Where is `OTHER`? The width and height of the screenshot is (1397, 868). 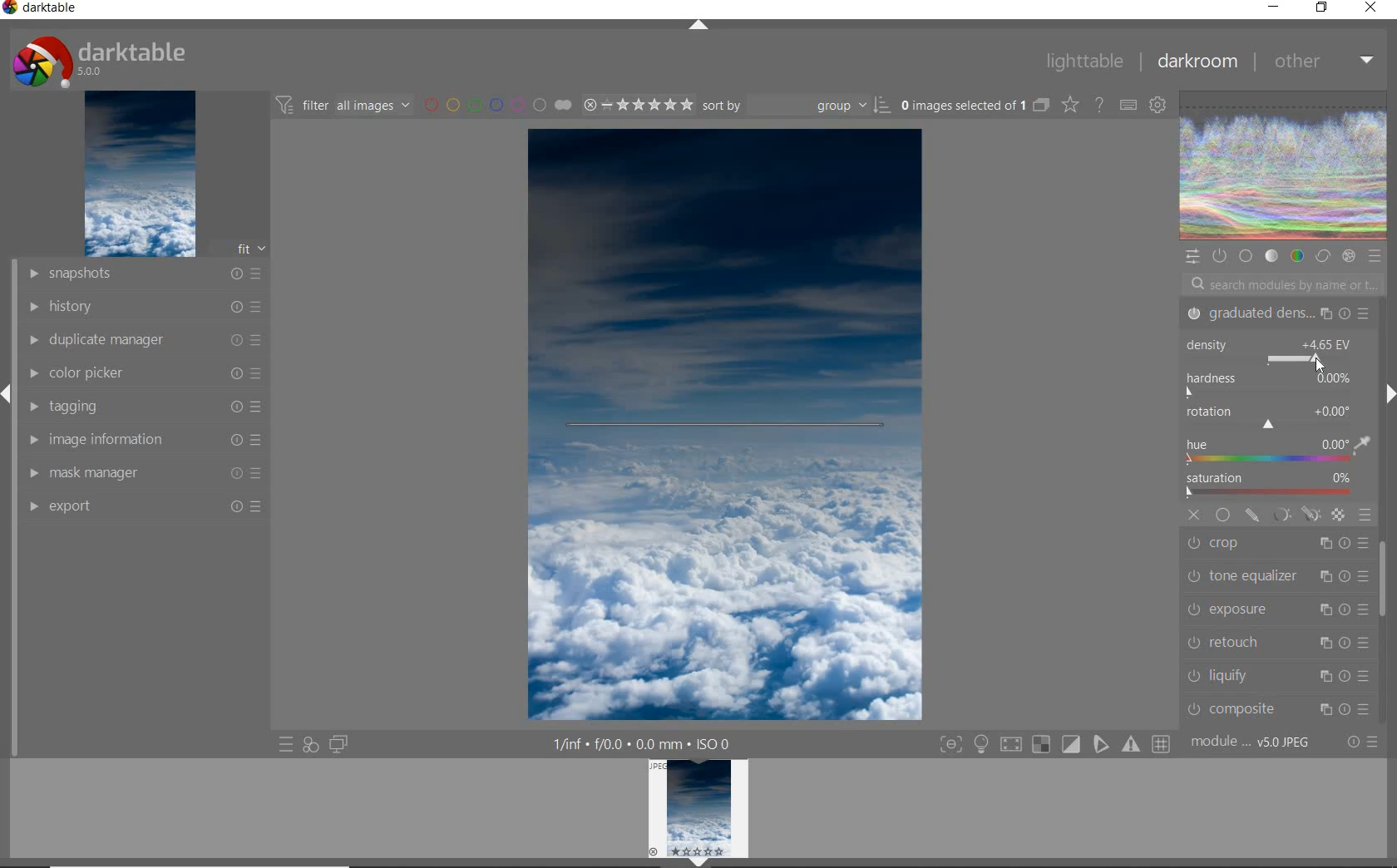 OTHER is located at coordinates (1321, 63).